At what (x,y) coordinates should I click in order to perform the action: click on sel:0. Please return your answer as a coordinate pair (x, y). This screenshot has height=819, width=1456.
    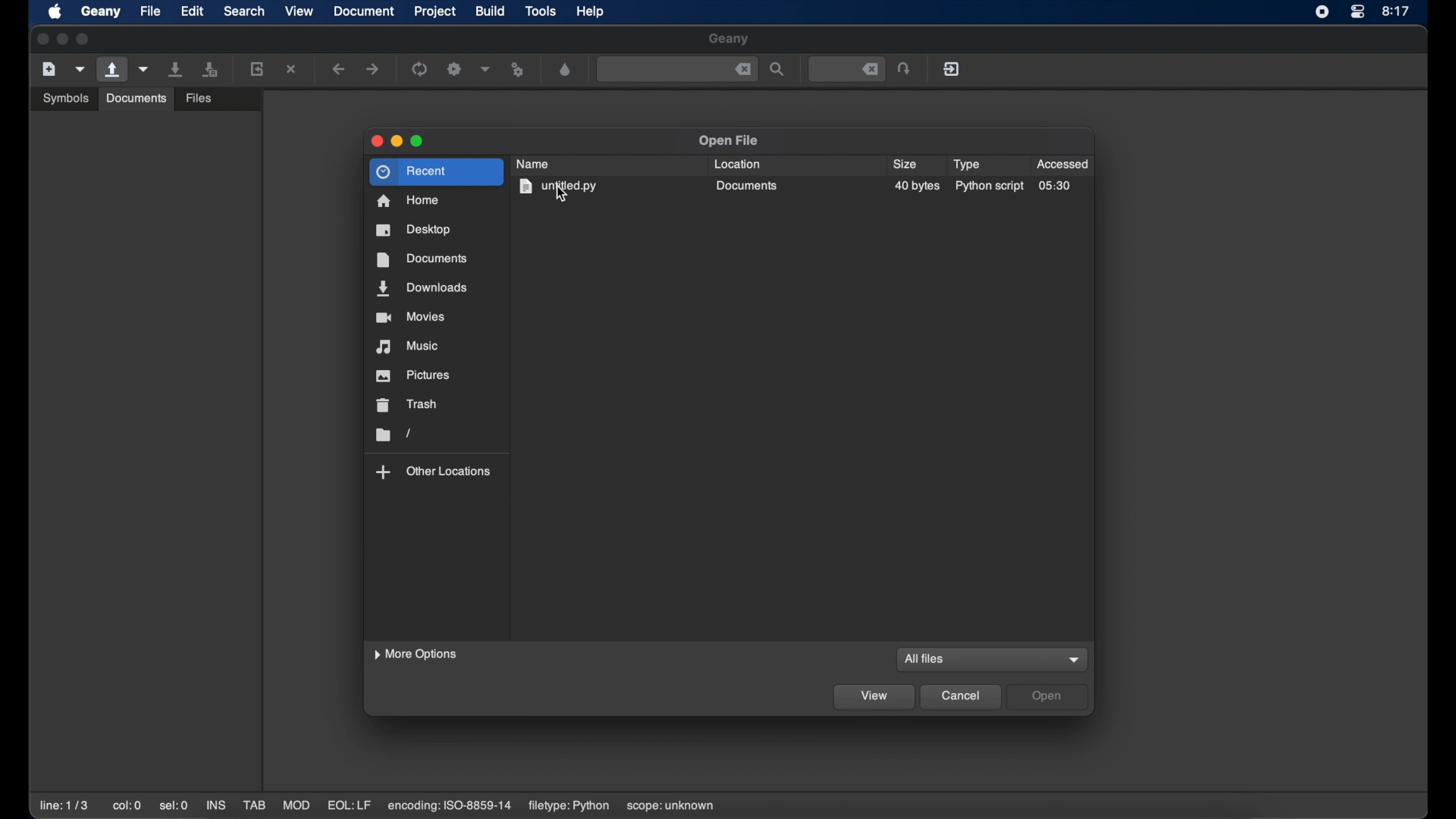
    Looking at the image, I should click on (174, 807).